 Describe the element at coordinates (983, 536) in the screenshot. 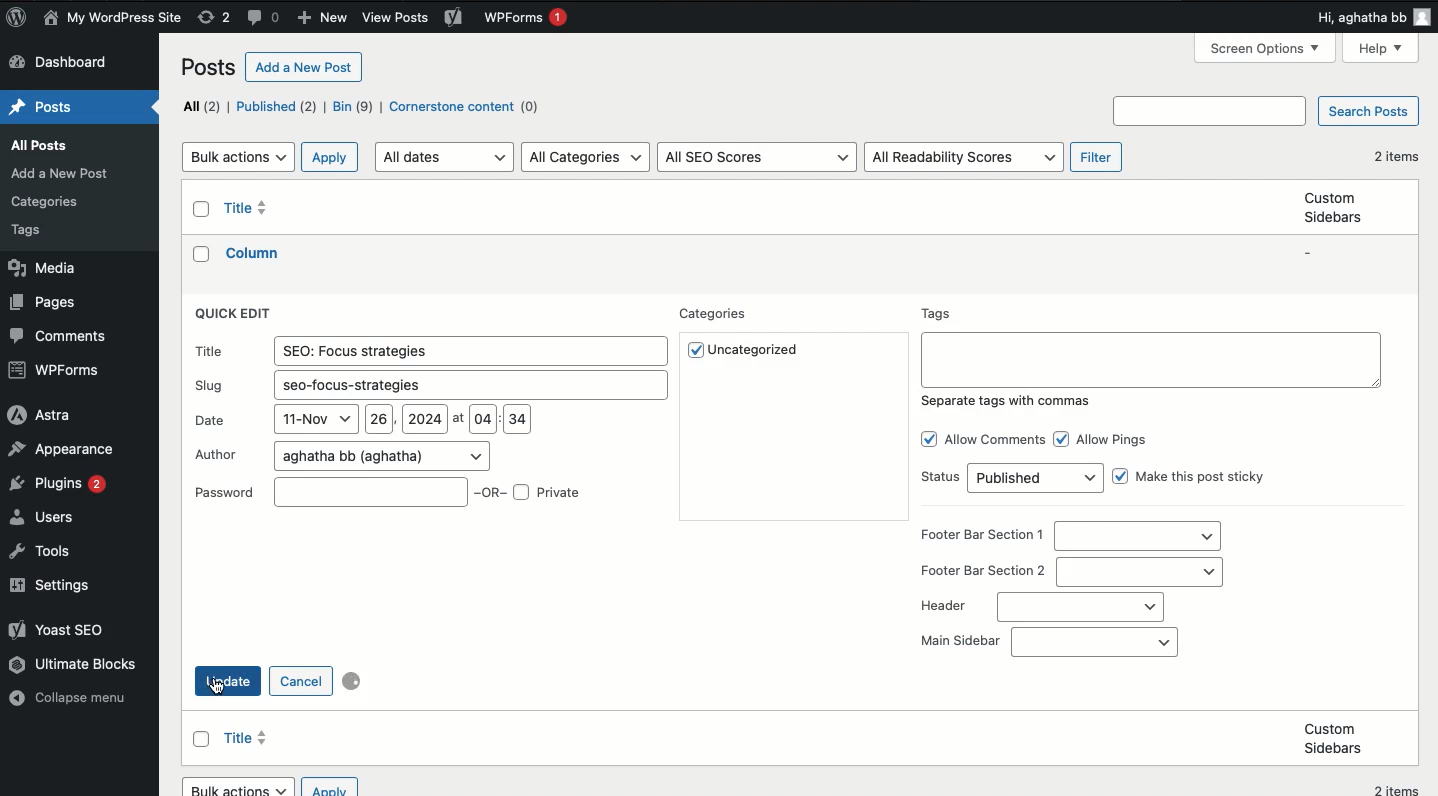

I see `Footer bar section 1` at that location.